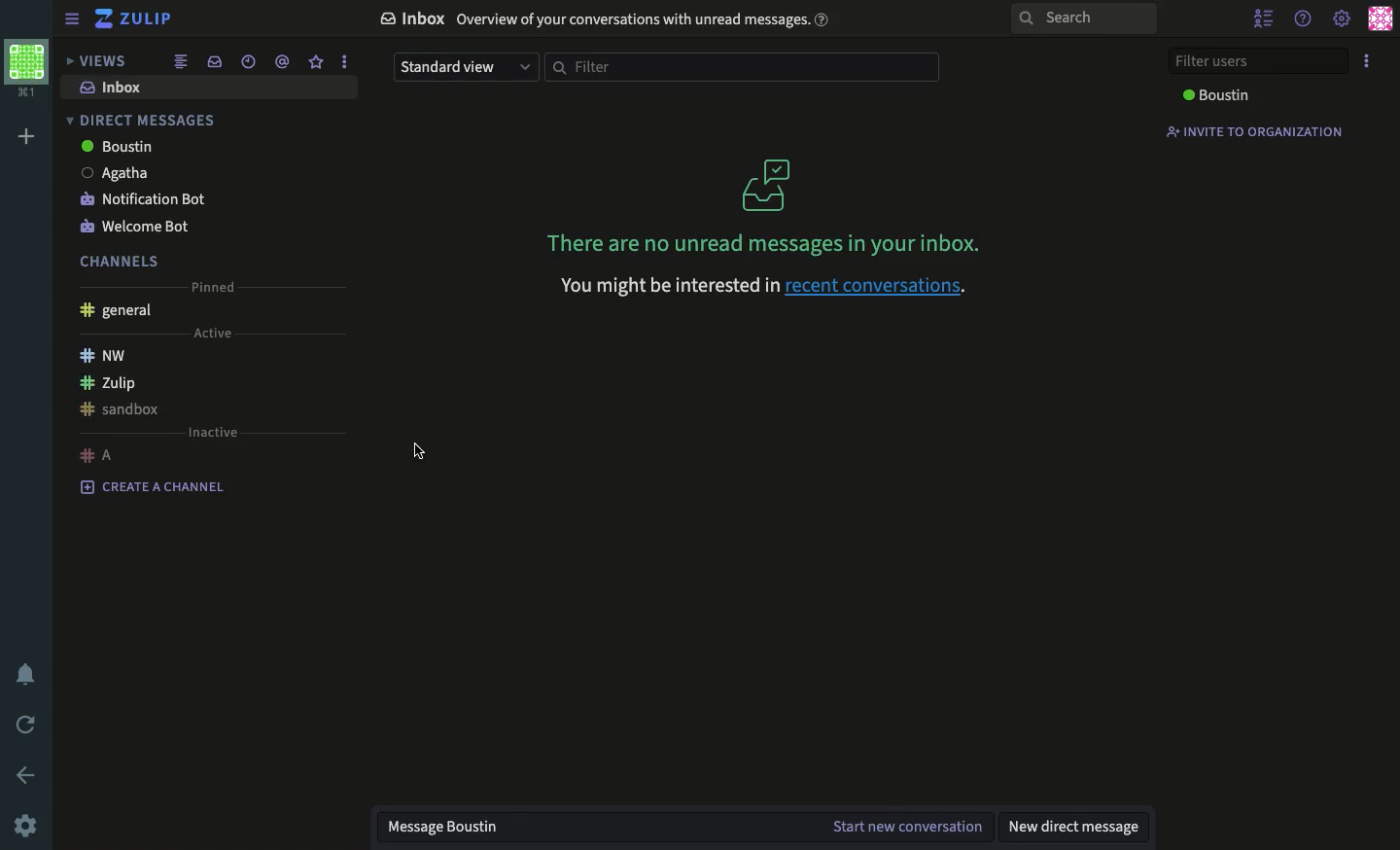 The height and width of the screenshot is (850, 1400). Describe the element at coordinates (23, 726) in the screenshot. I see `refresh` at that location.